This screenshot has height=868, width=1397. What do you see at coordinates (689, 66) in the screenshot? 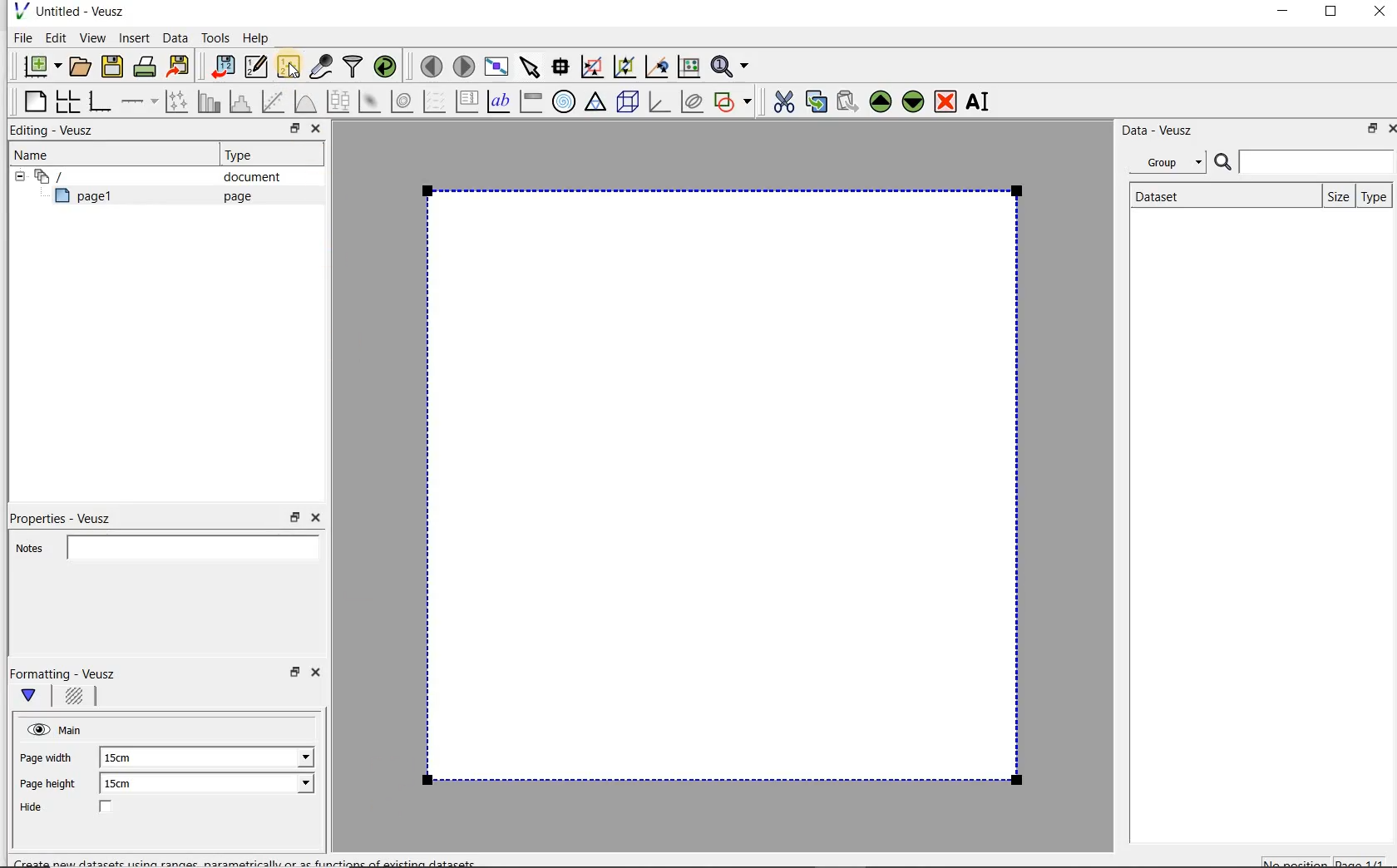
I see `click to reset graph axes` at bounding box center [689, 66].